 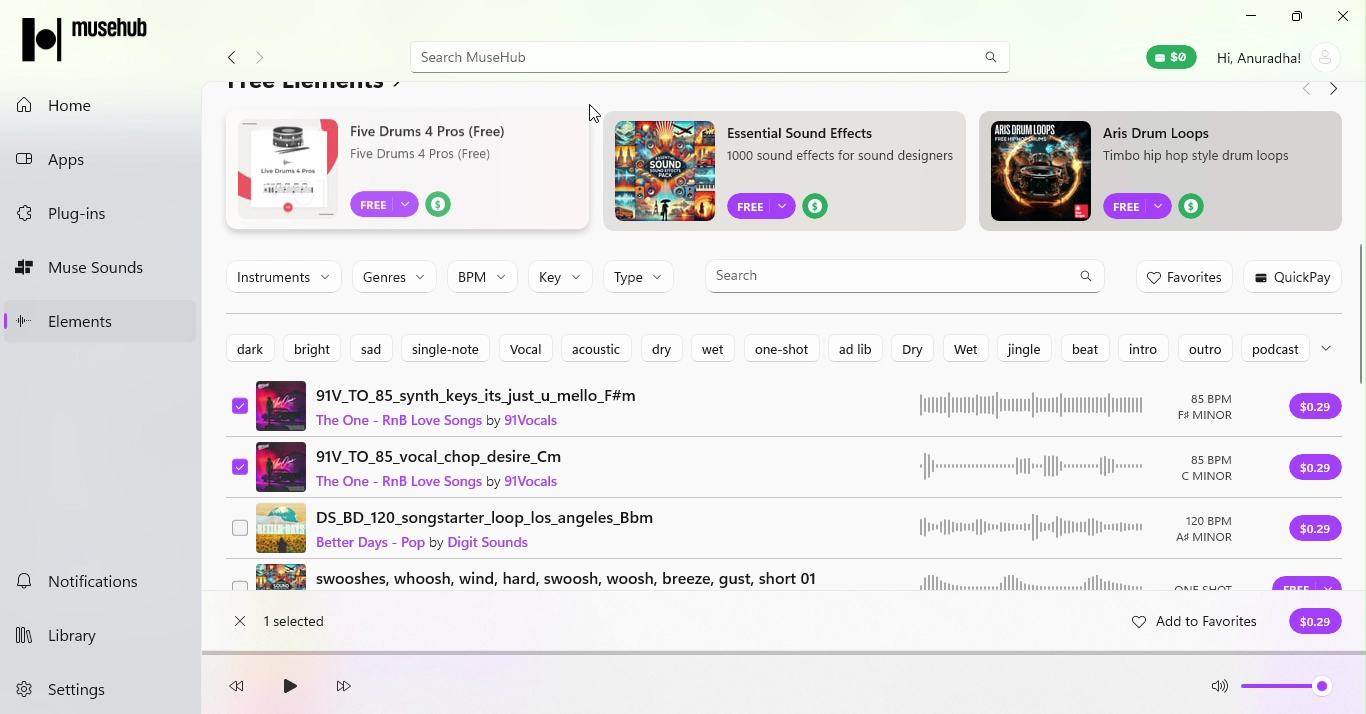 What do you see at coordinates (1335, 91) in the screenshot?
I see `Navigate forward` at bounding box center [1335, 91].